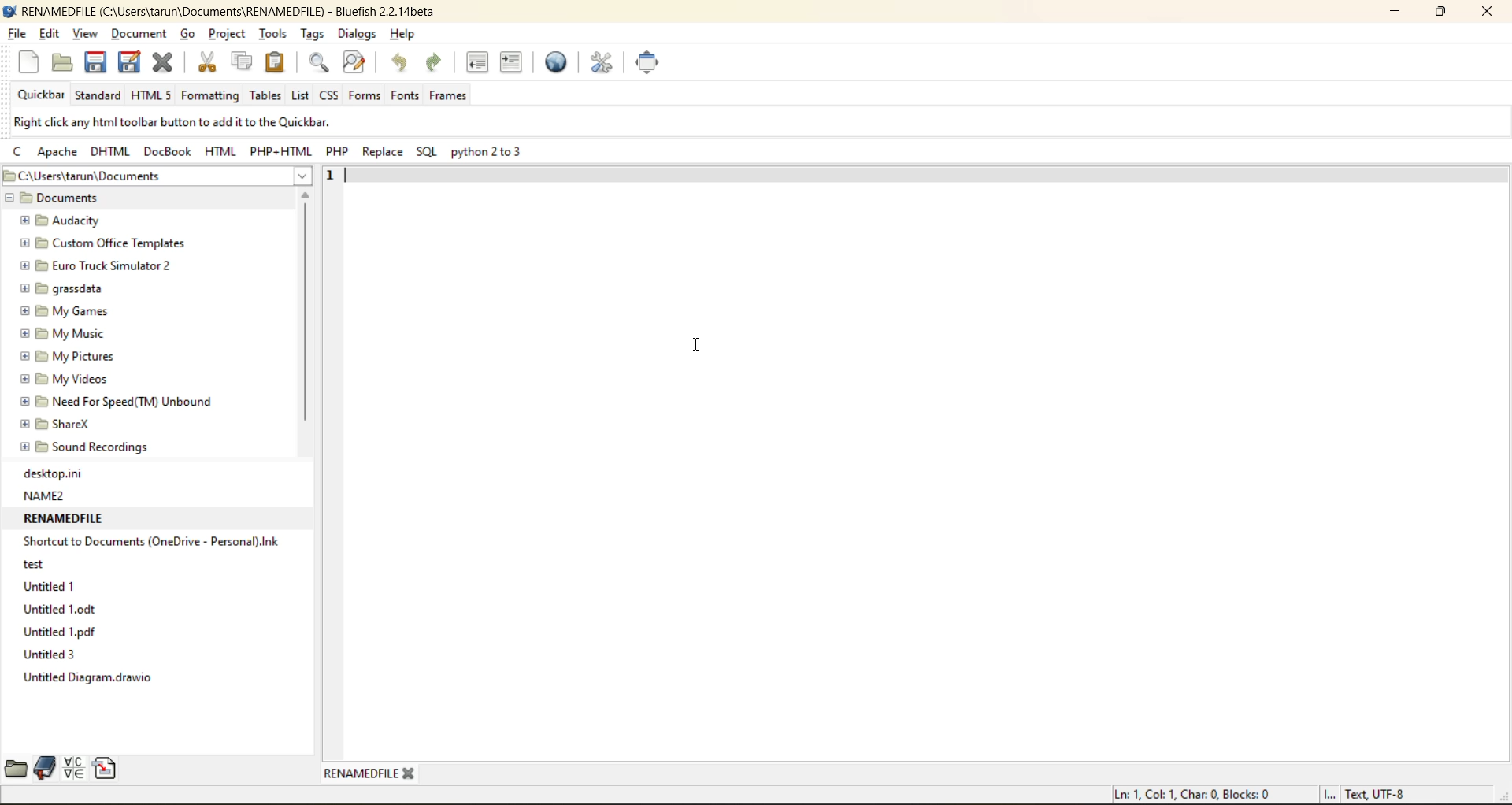 This screenshot has height=805, width=1512. What do you see at coordinates (49, 495) in the screenshot?
I see `NAME2` at bounding box center [49, 495].